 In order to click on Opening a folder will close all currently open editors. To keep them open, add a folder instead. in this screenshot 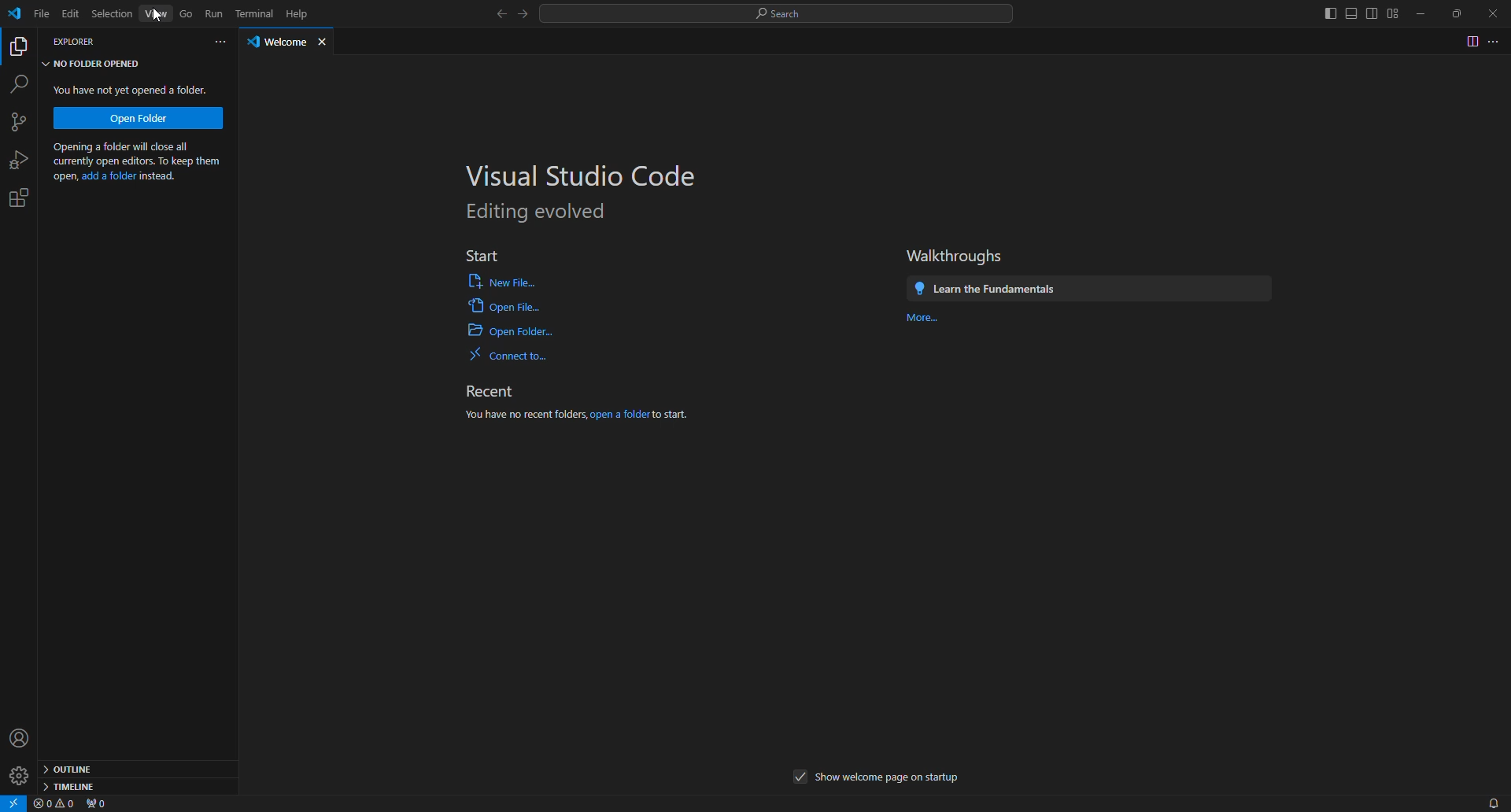, I will do `click(139, 161)`.